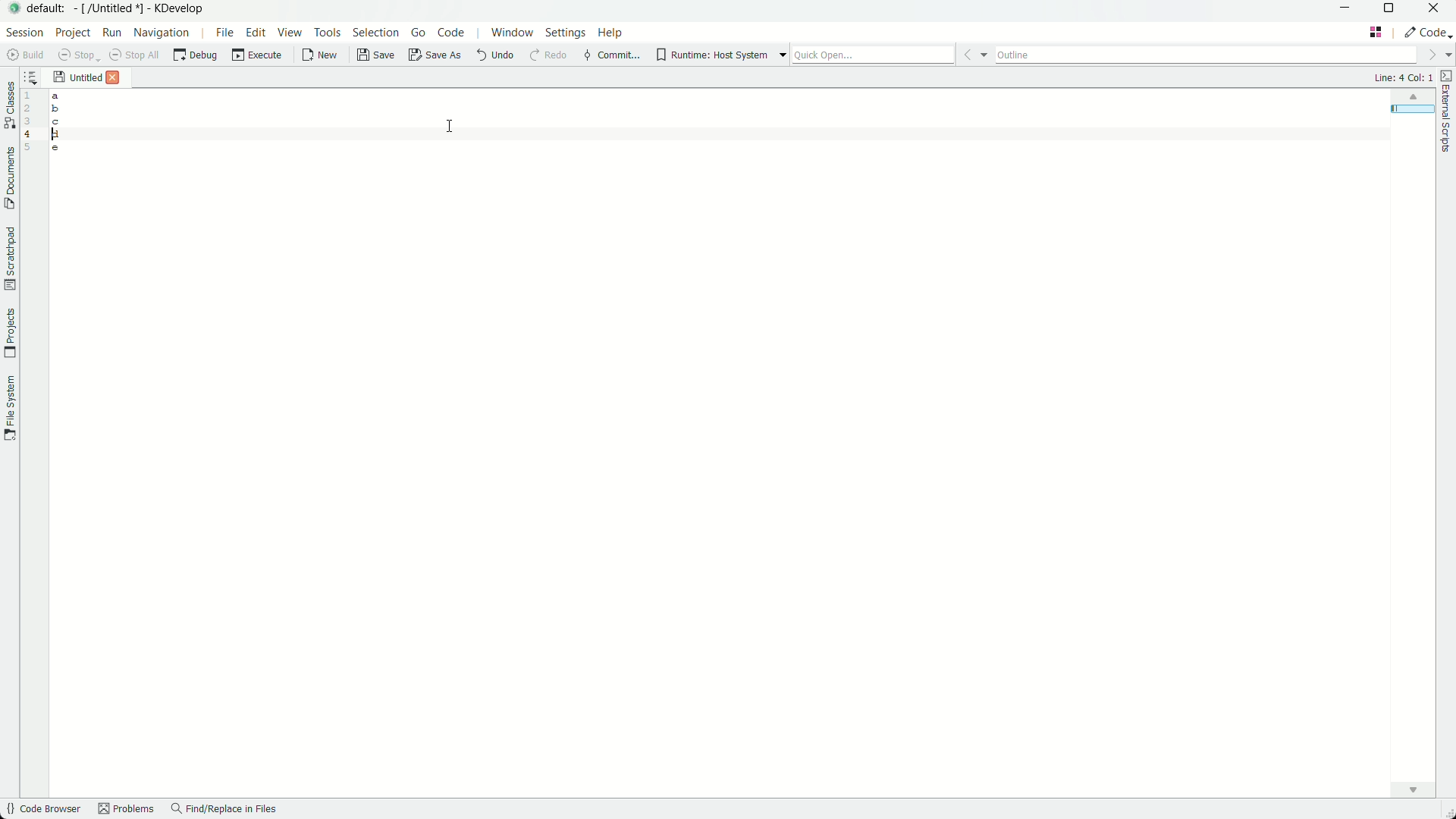  What do you see at coordinates (125, 810) in the screenshot?
I see `problems` at bounding box center [125, 810].